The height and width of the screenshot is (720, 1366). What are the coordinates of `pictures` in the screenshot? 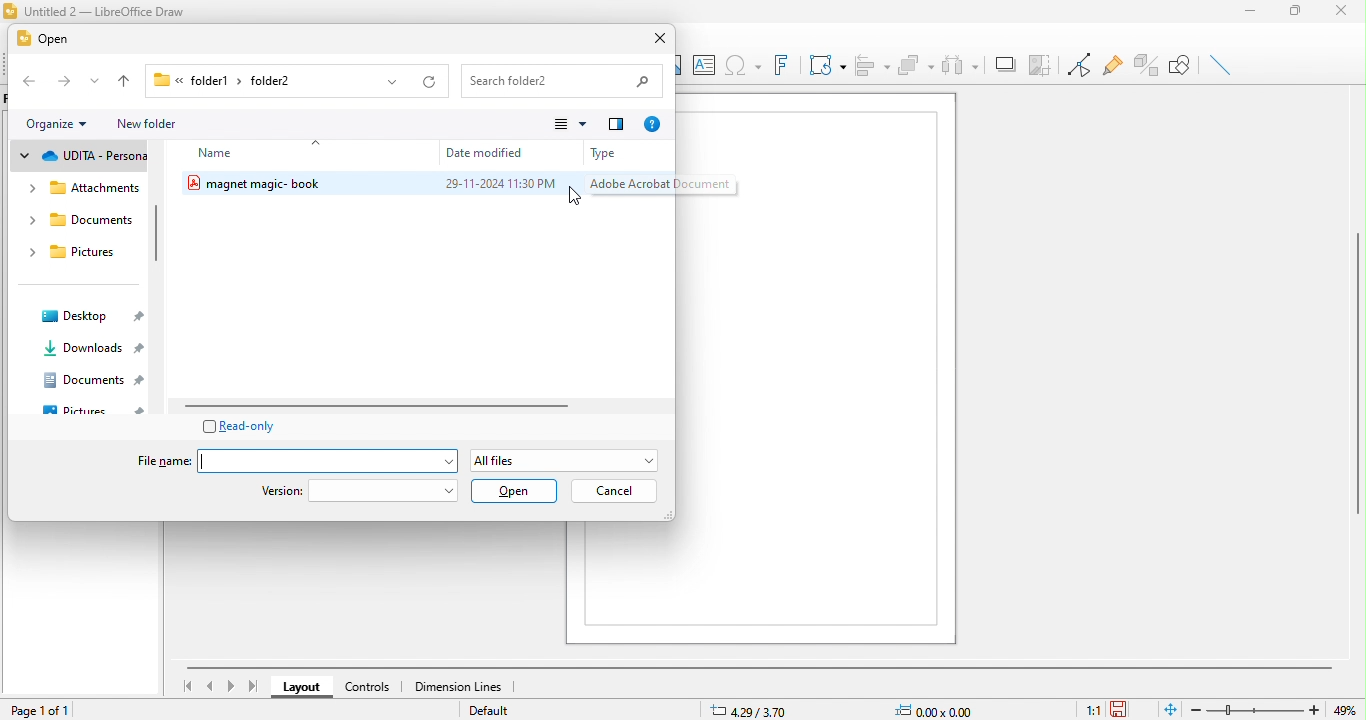 It's located at (74, 253).